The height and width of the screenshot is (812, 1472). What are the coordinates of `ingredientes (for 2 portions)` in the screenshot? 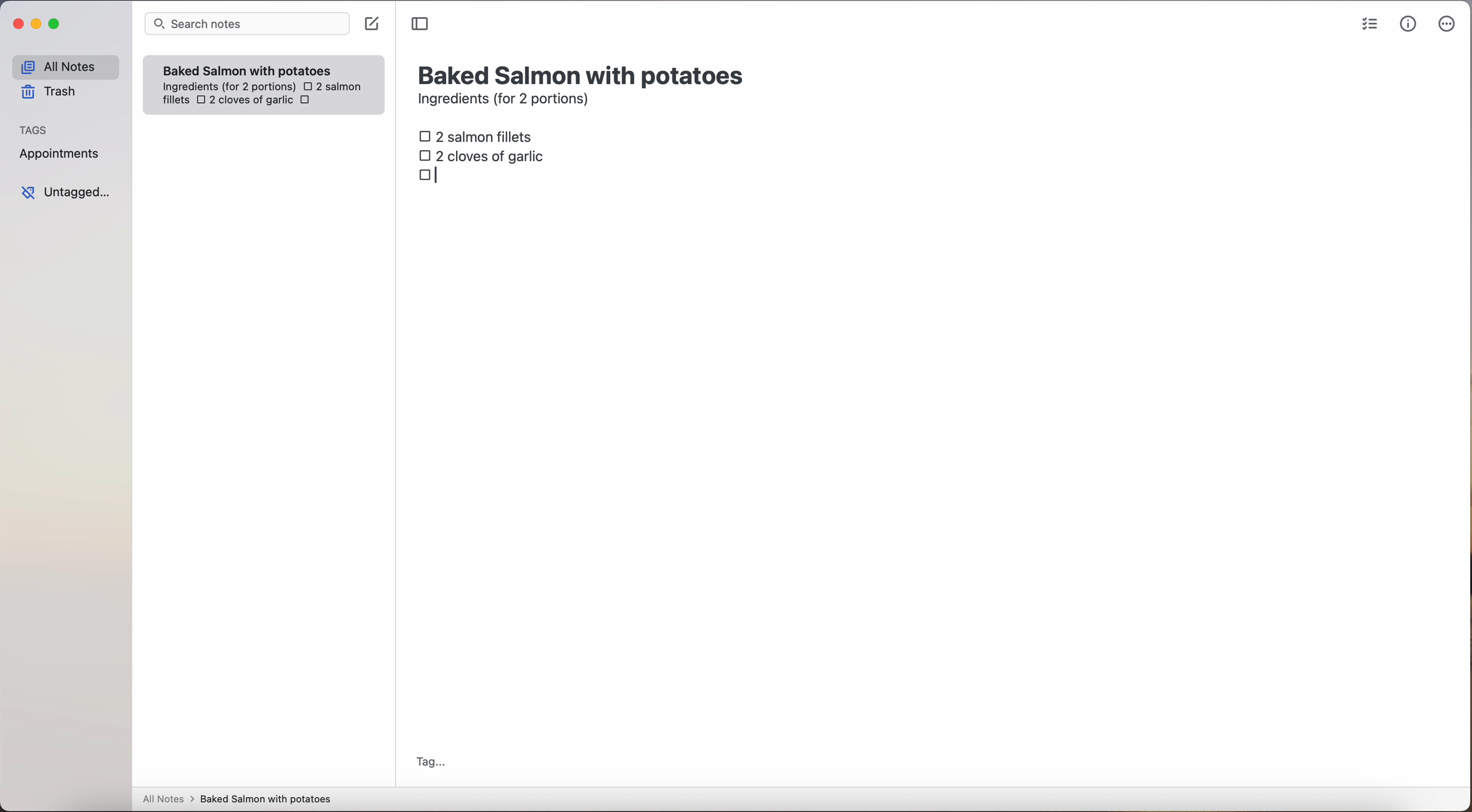 It's located at (227, 87).